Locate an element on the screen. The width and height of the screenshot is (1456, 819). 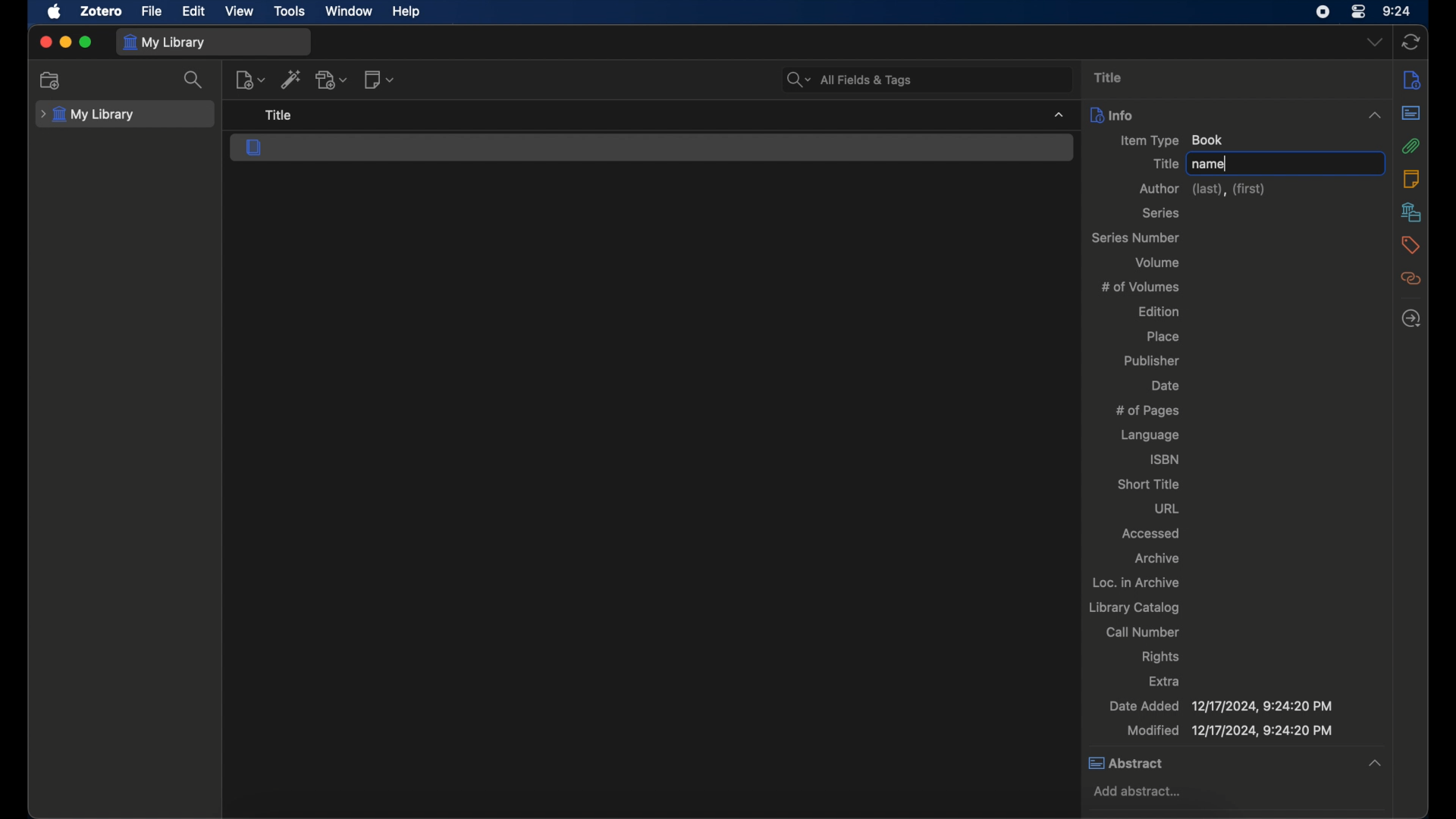
add abstract is located at coordinates (1143, 791).